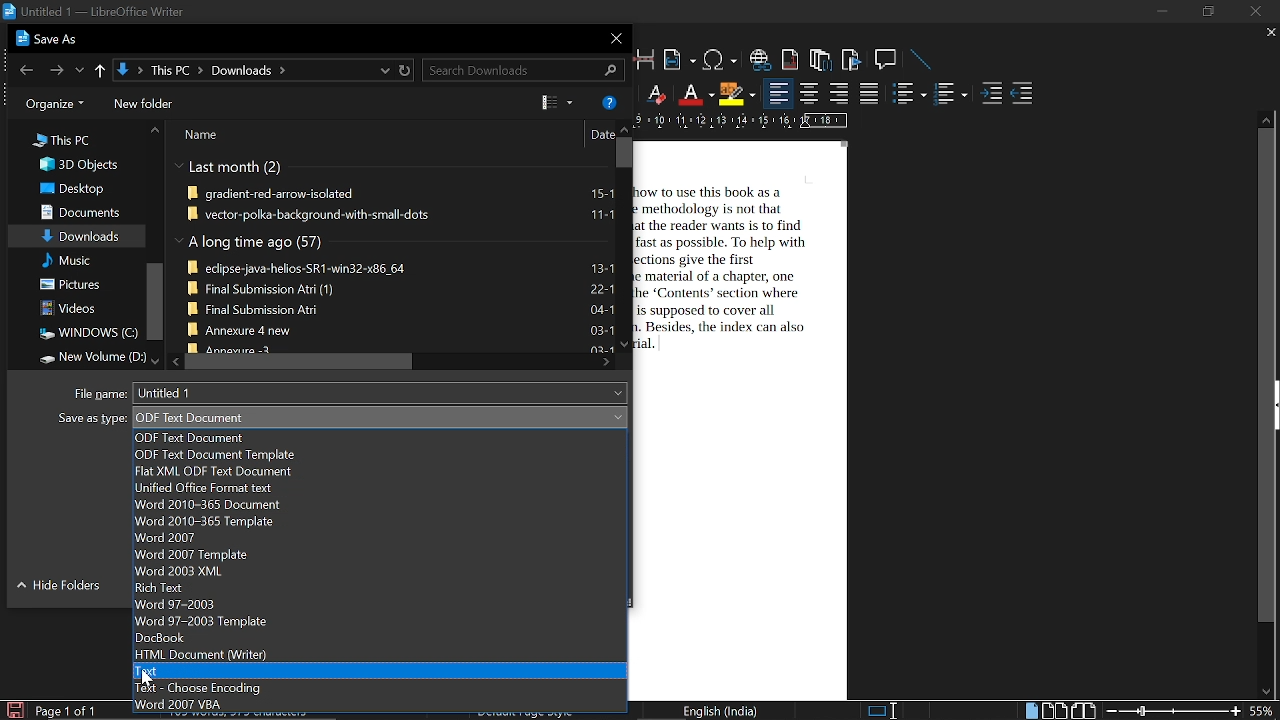 This screenshot has width=1280, height=720. I want to click on save type, so click(379, 417).